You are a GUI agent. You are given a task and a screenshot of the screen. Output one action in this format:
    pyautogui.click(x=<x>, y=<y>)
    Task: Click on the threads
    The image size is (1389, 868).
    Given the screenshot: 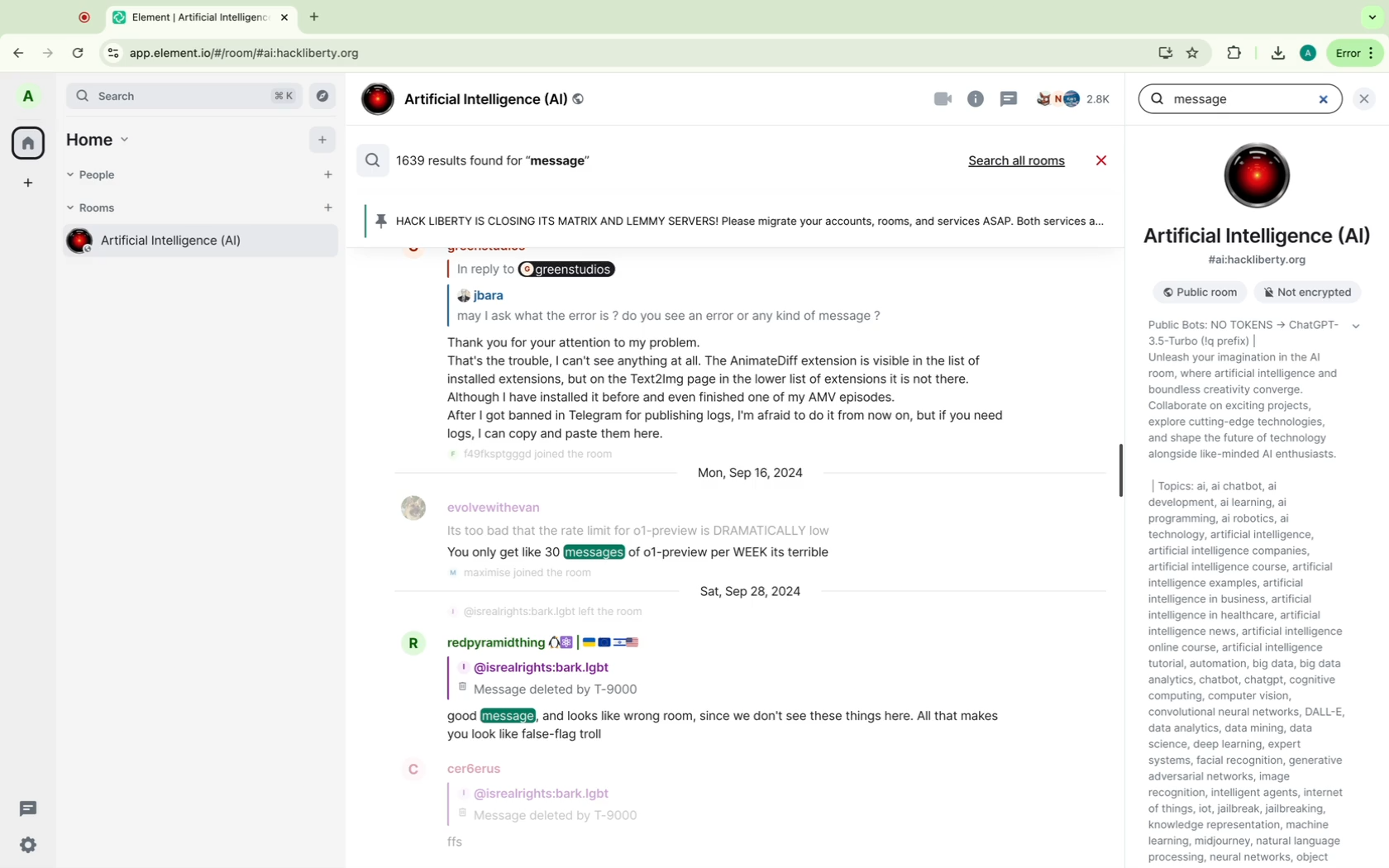 What is the action you would take?
    pyautogui.click(x=1009, y=98)
    